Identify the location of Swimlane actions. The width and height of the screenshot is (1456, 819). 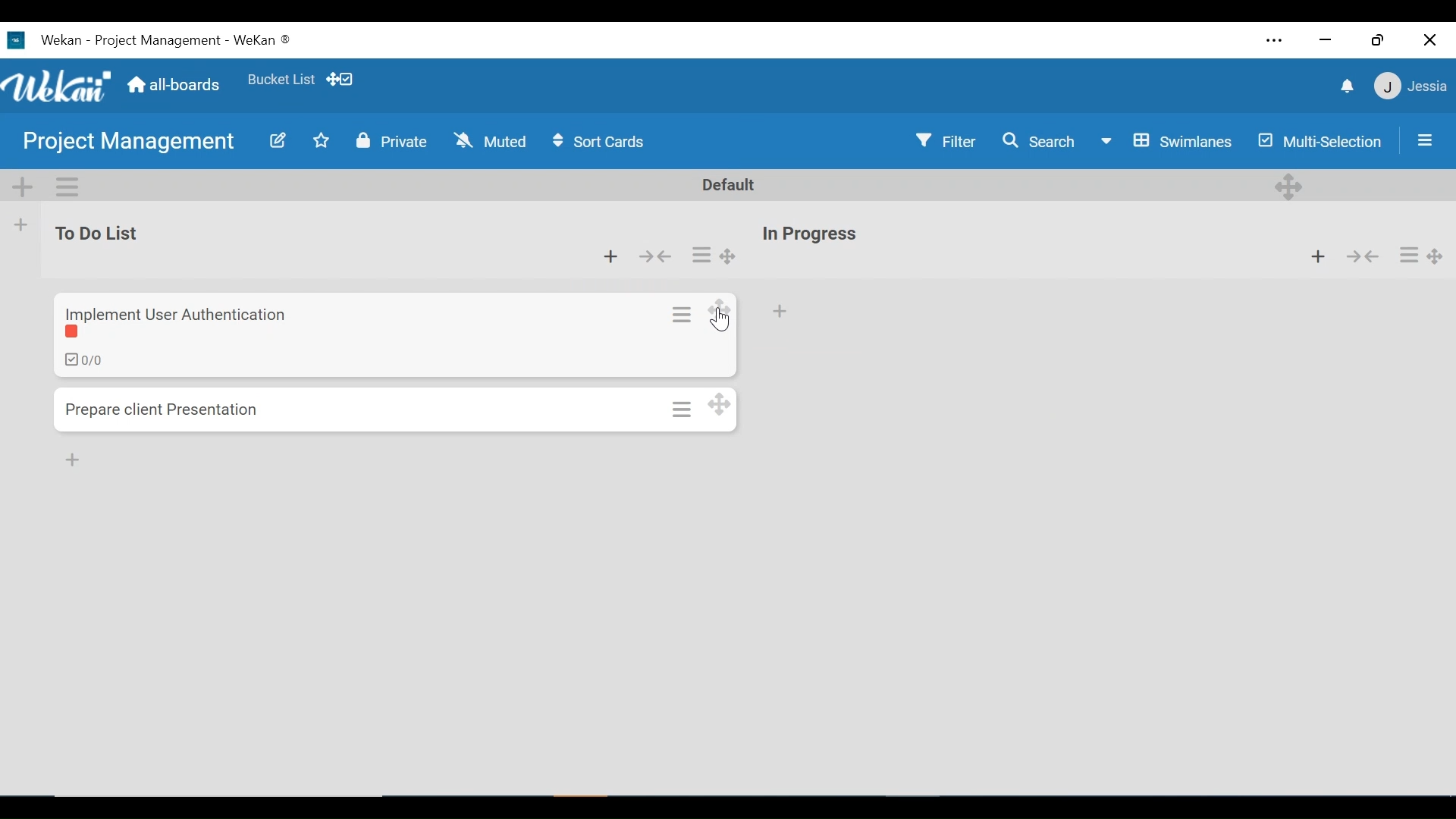
(64, 186).